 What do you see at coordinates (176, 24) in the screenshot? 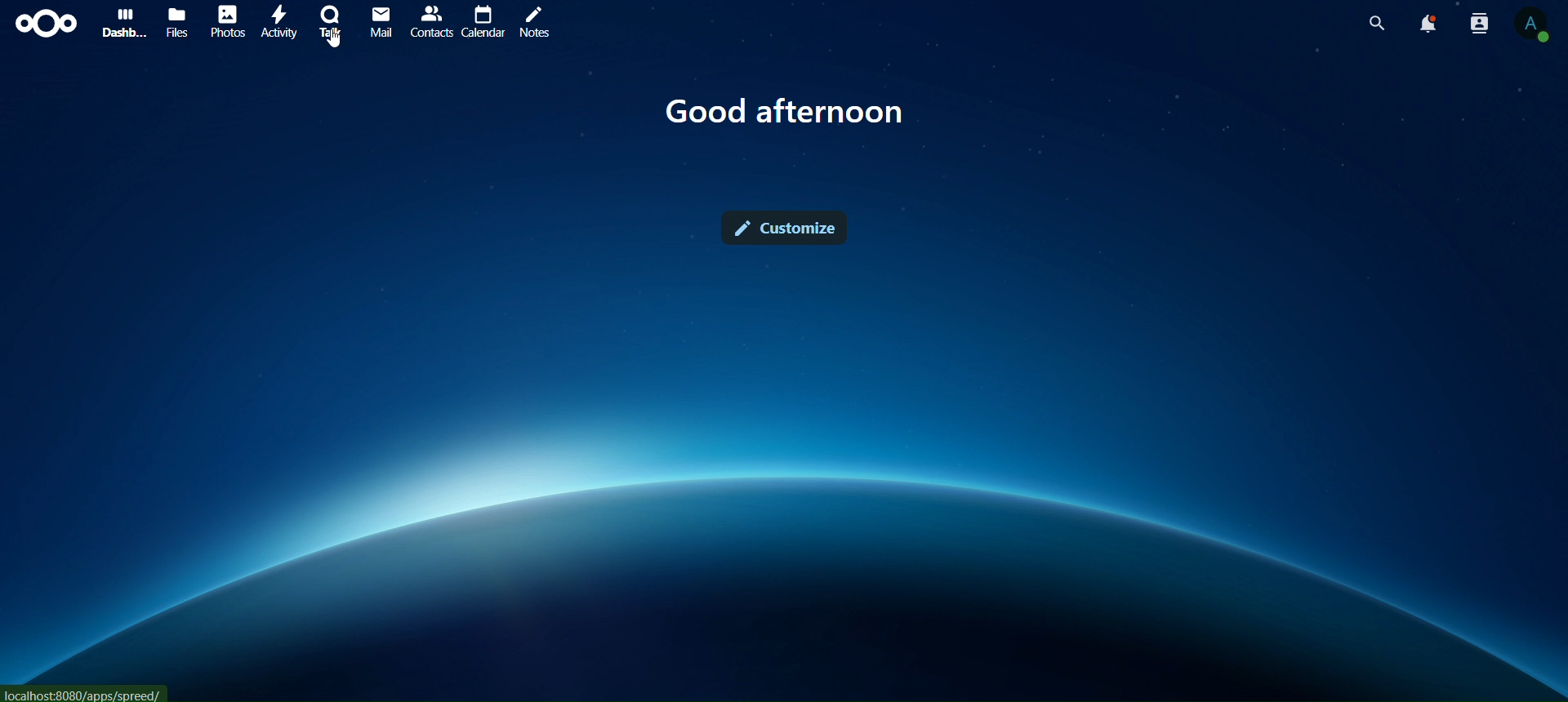
I see `files` at bounding box center [176, 24].